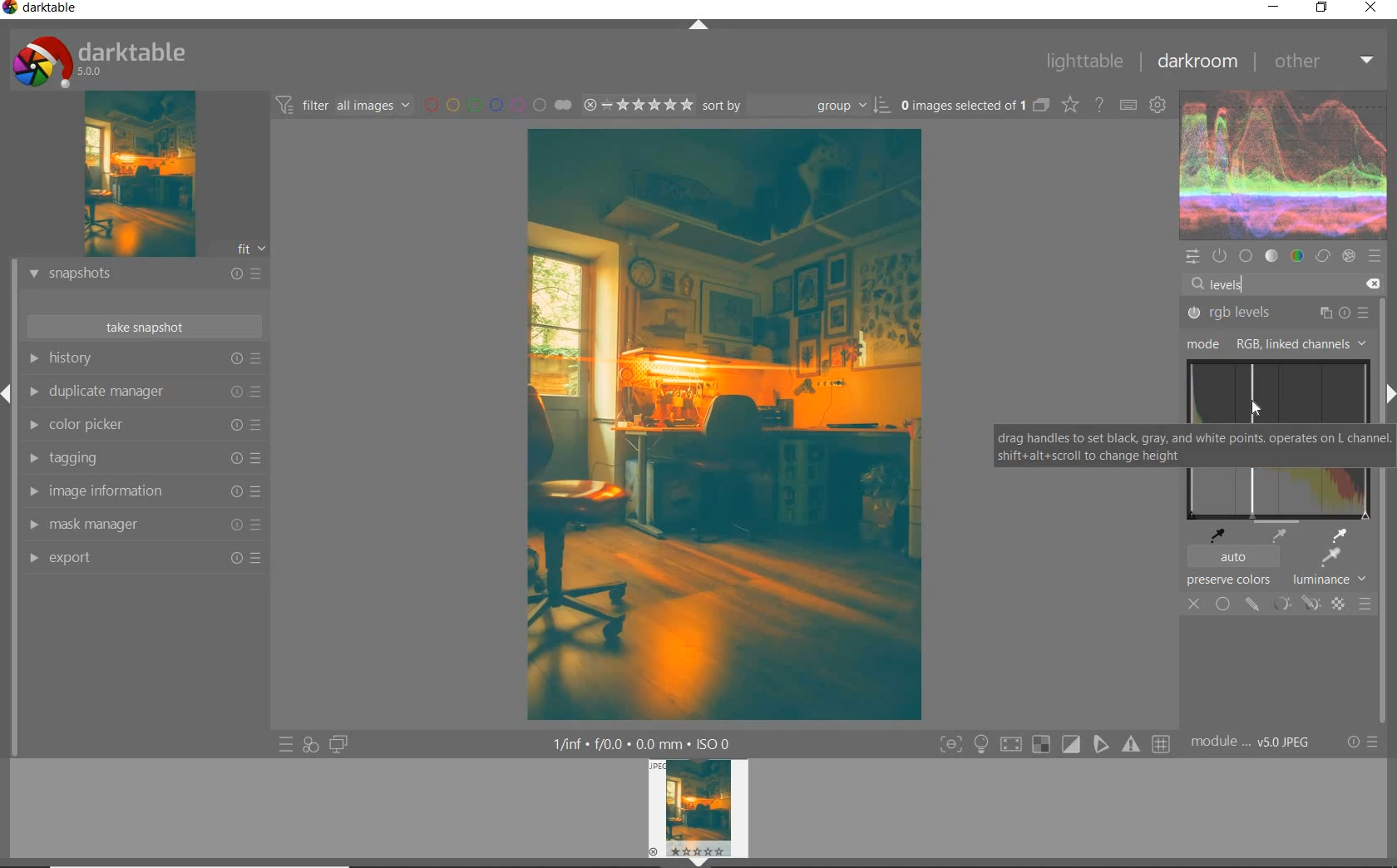 This screenshot has width=1397, height=868. What do you see at coordinates (1362, 742) in the screenshot?
I see `reset or presets & preferences` at bounding box center [1362, 742].